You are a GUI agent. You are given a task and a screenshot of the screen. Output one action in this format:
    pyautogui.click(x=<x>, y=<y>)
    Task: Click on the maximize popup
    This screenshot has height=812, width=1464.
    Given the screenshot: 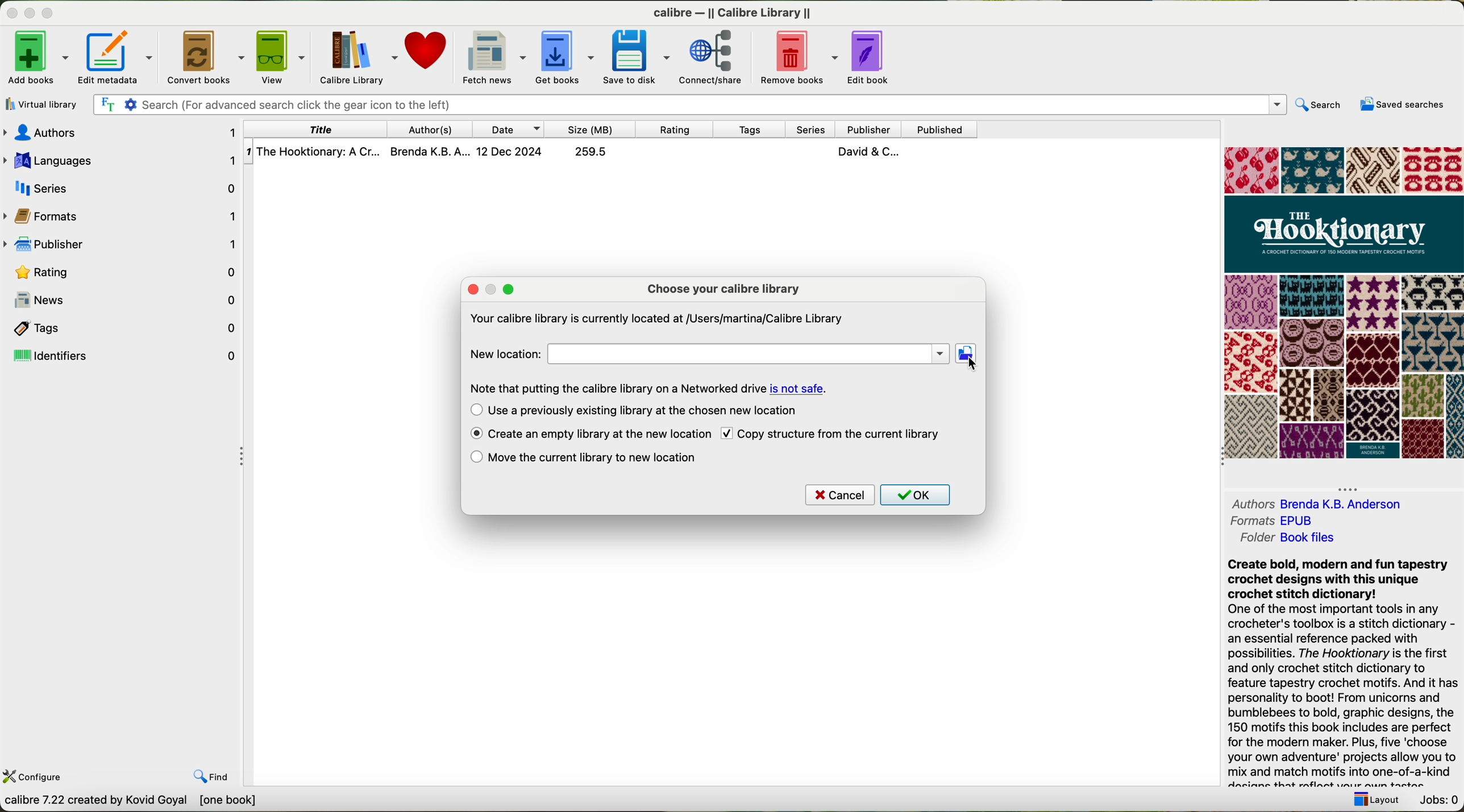 What is the action you would take?
    pyautogui.click(x=510, y=289)
    